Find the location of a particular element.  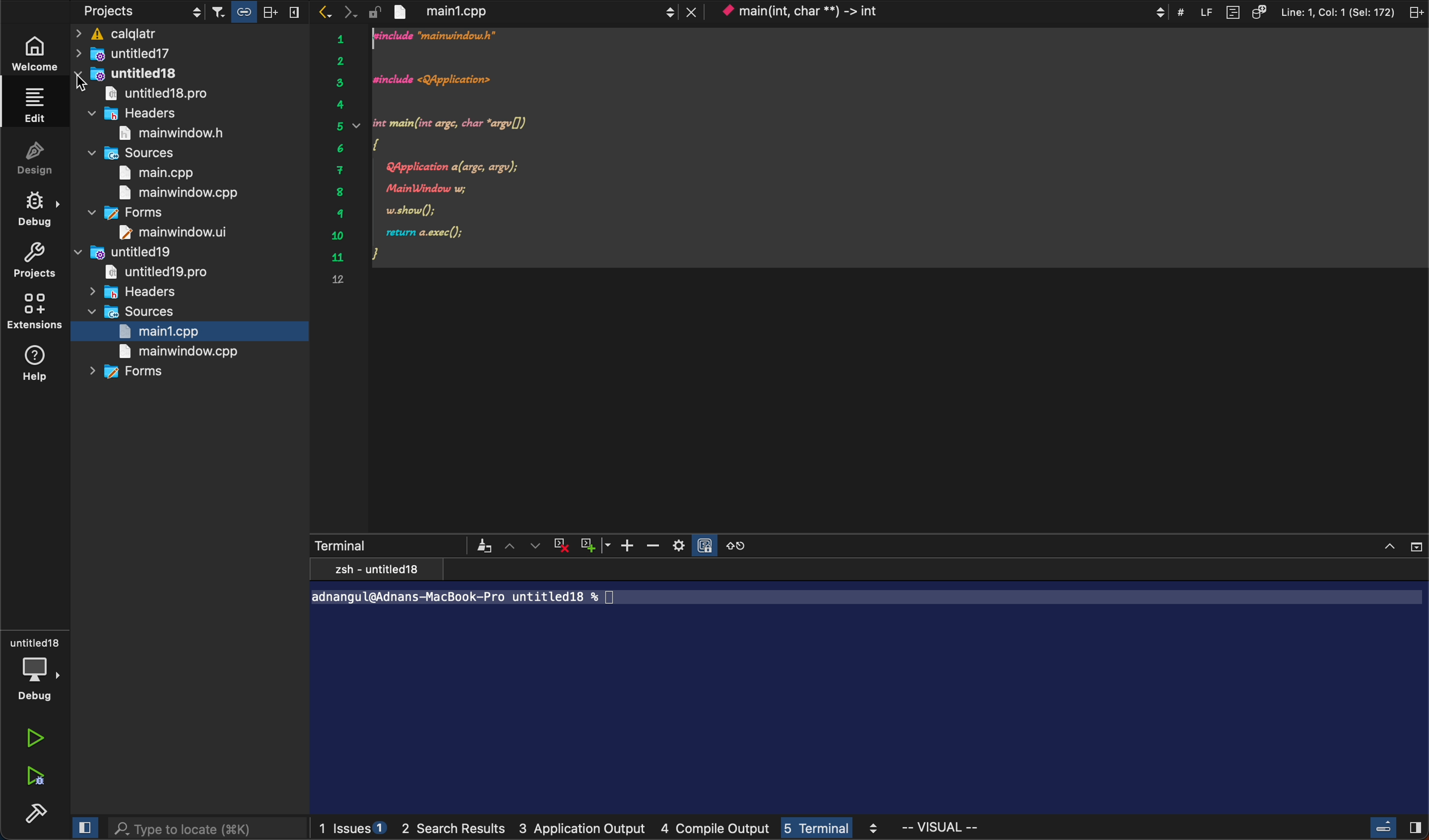

search bar is located at coordinates (204, 827).